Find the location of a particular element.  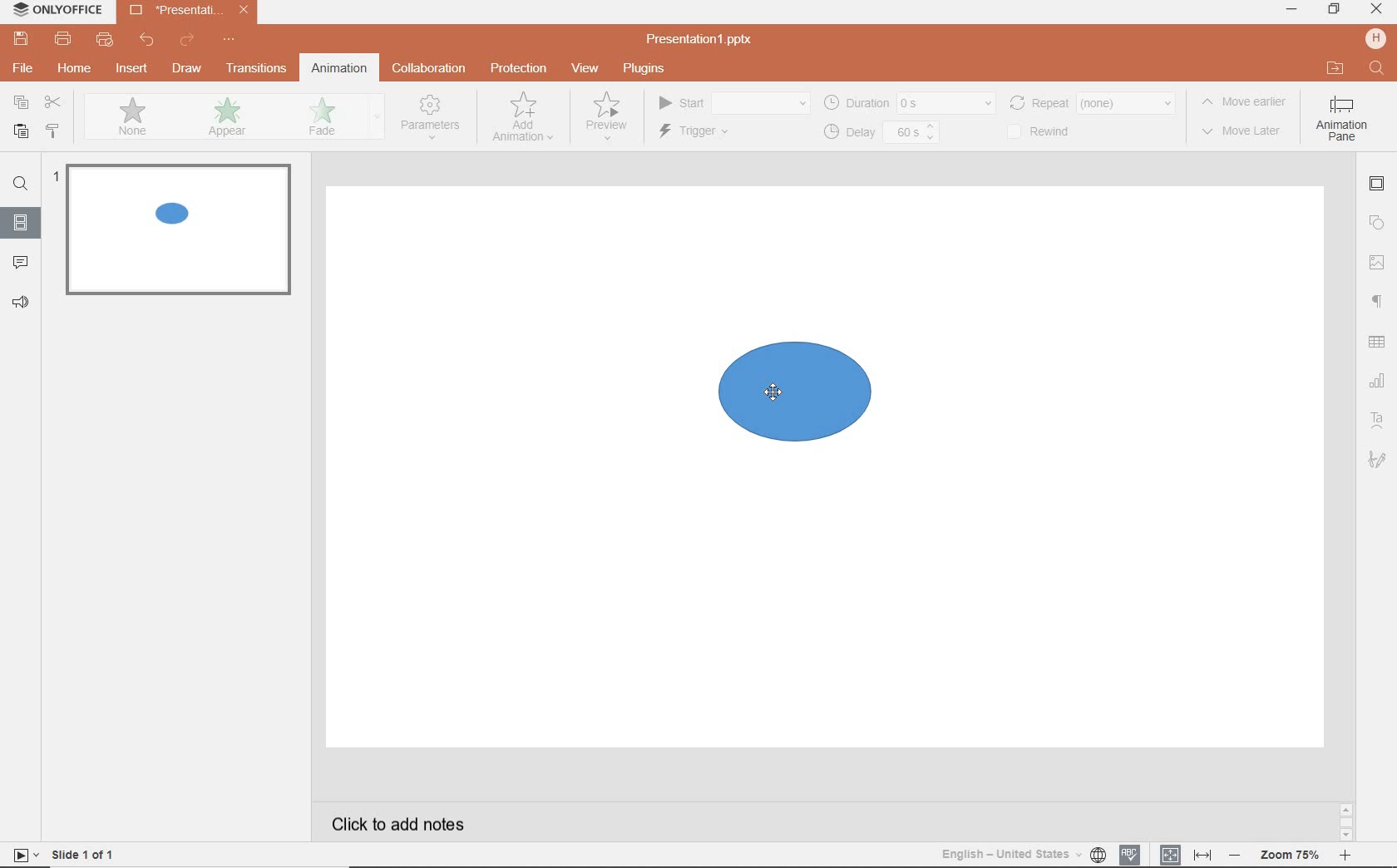

signature is located at coordinates (1377, 461).